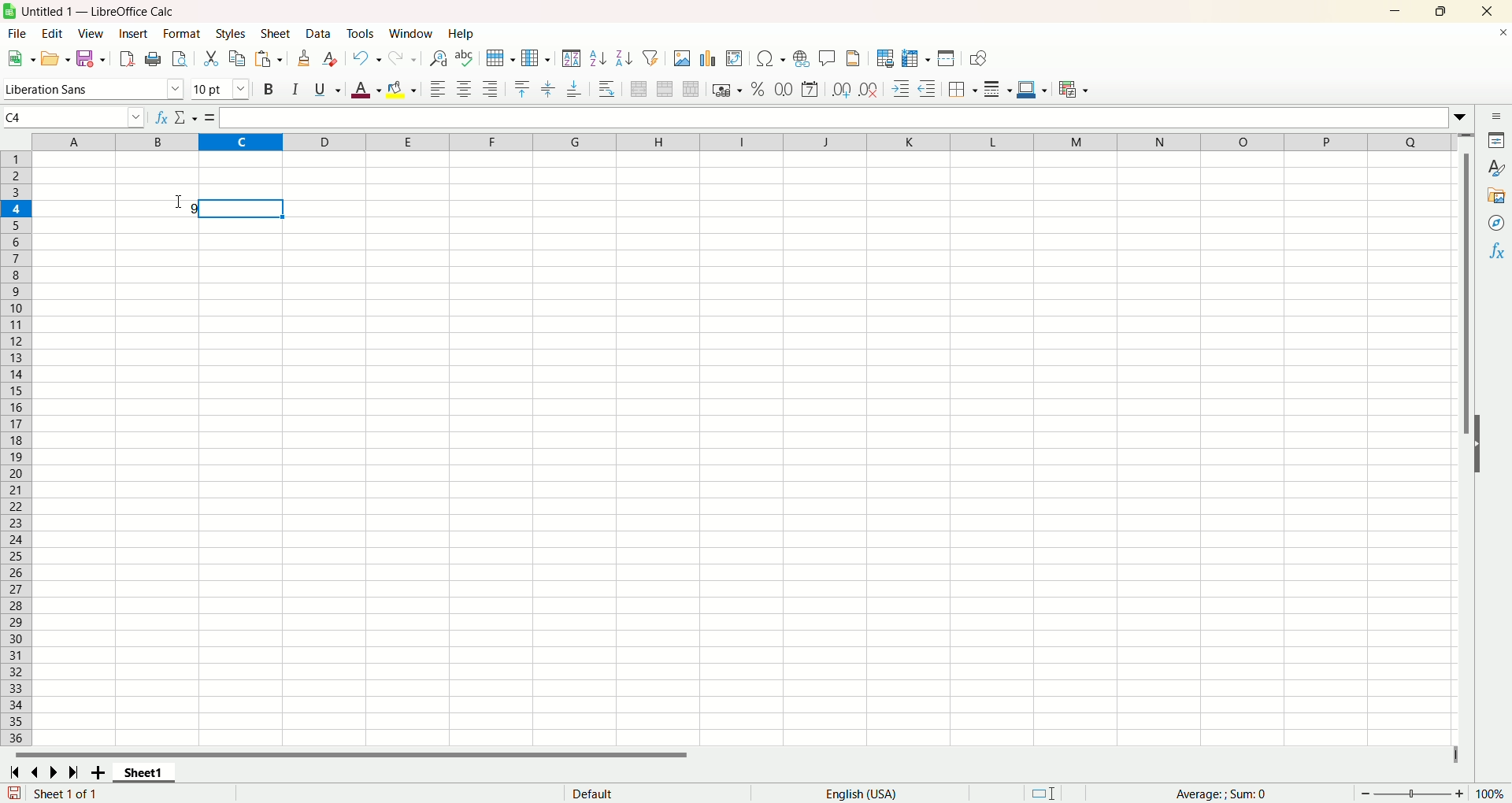 This screenshot has width=1512, height=803. What do you see at coordinates (1073, 89) in the screenshot?
I see `condition` at bounding box center [1073, 89].